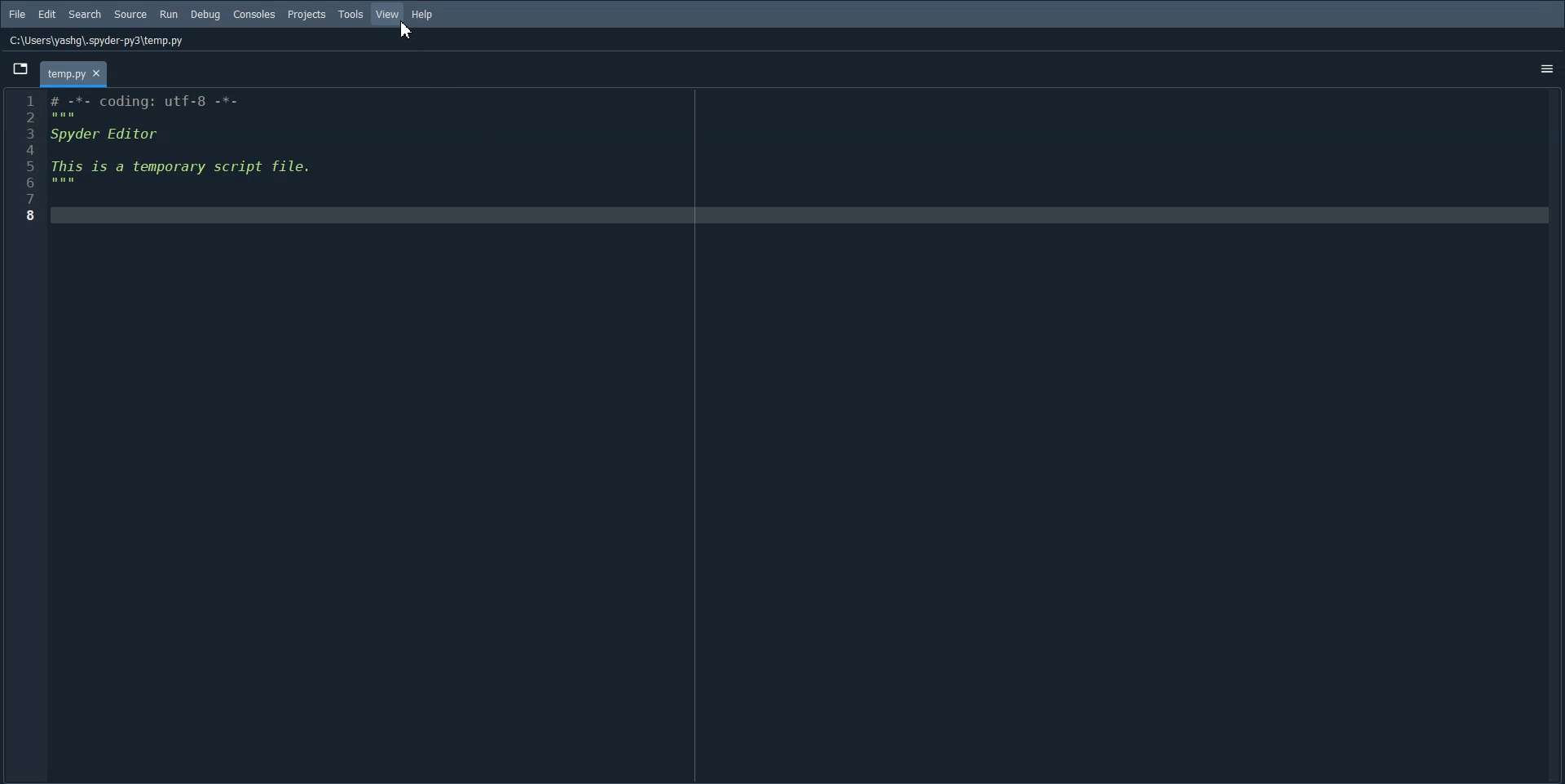 This screenshot has width=1565, height=784. I want to click on Line number, so click(24, 157).